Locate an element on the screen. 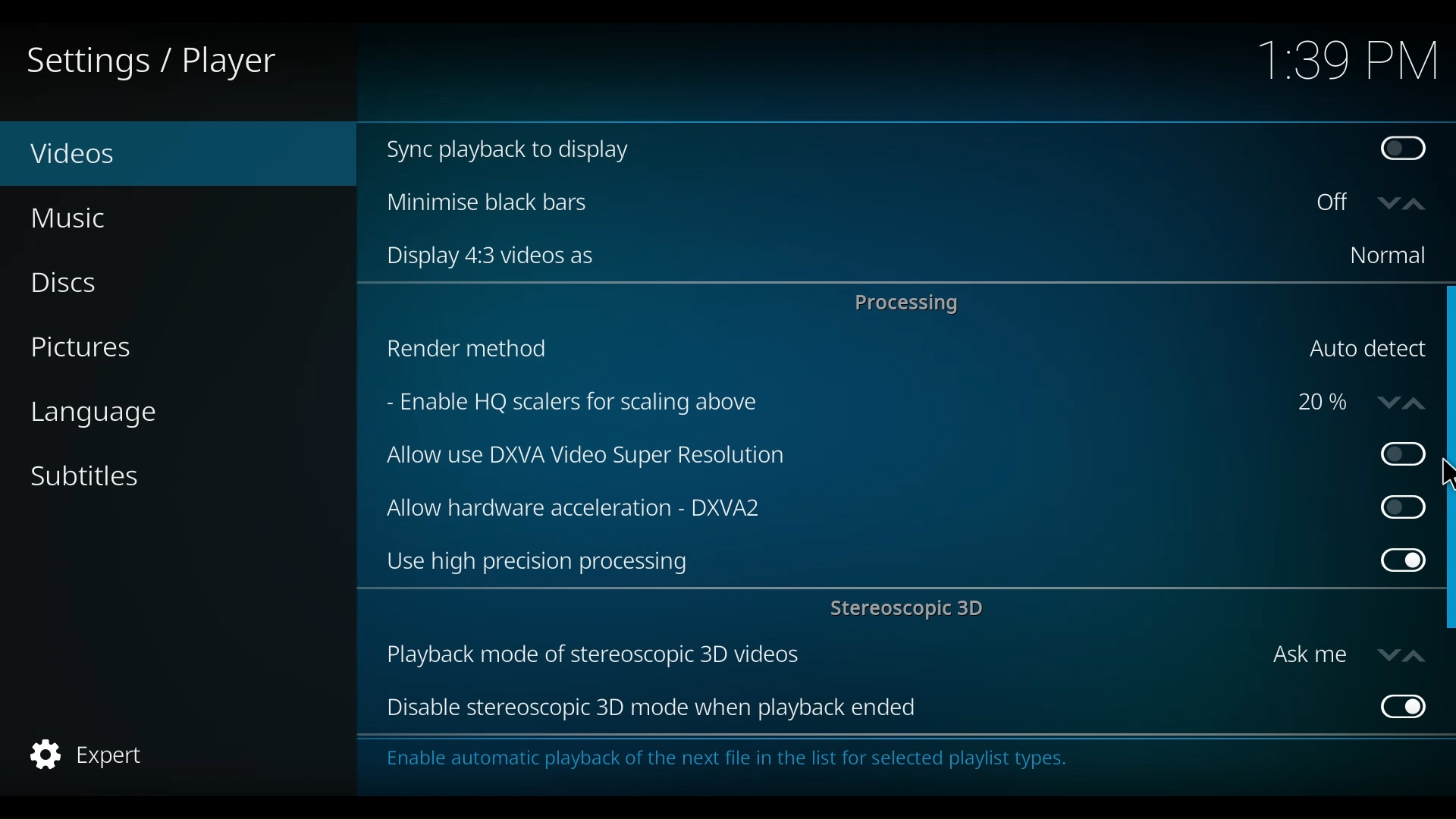 This screenshot has height=819, width=1456. up is located at coordinates (1413, 654).